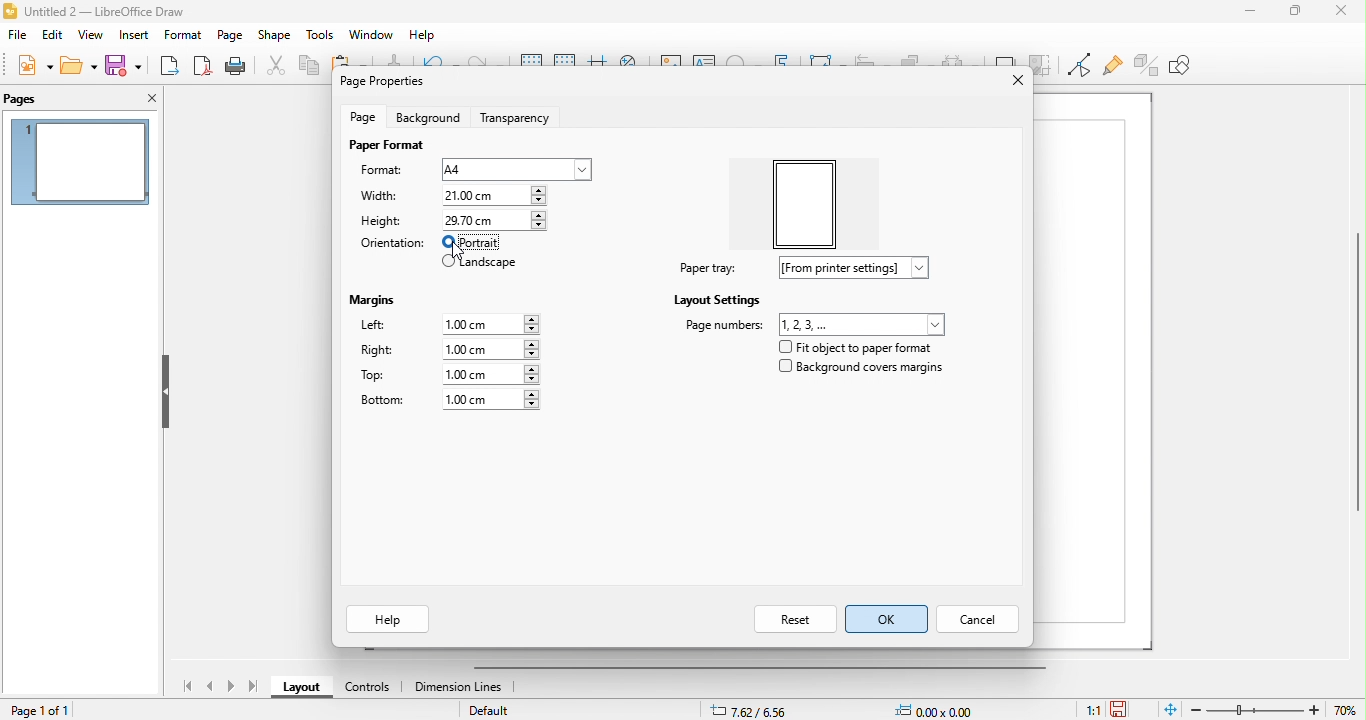 The height and width of the screenshot is (720, 1366). What do you see at coordinates (632, 65) in the screenshot?
I see `zoom and pan` at bounding box center [632, 65].